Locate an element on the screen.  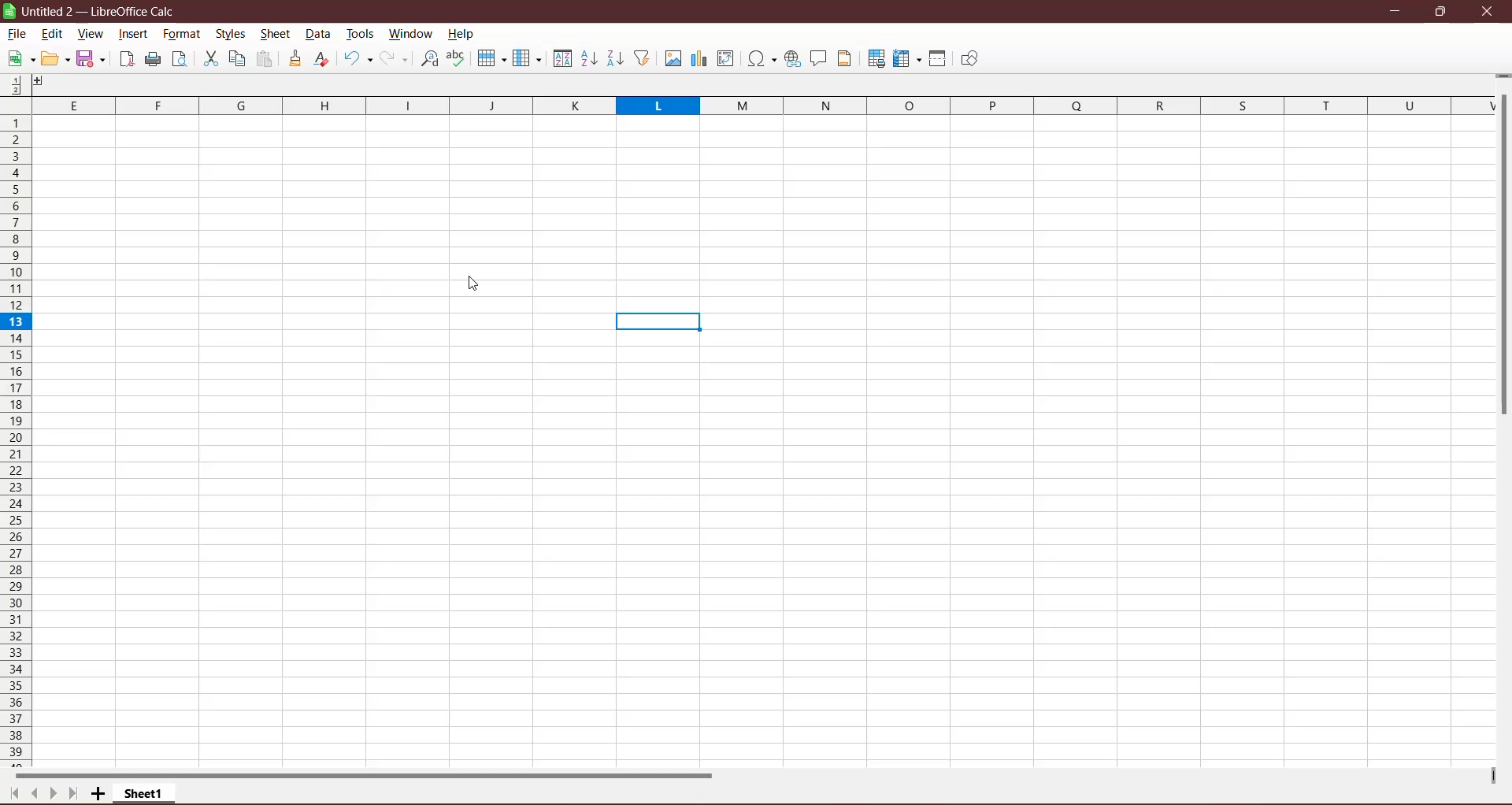
selected cell is located at coordinates (659, 323).